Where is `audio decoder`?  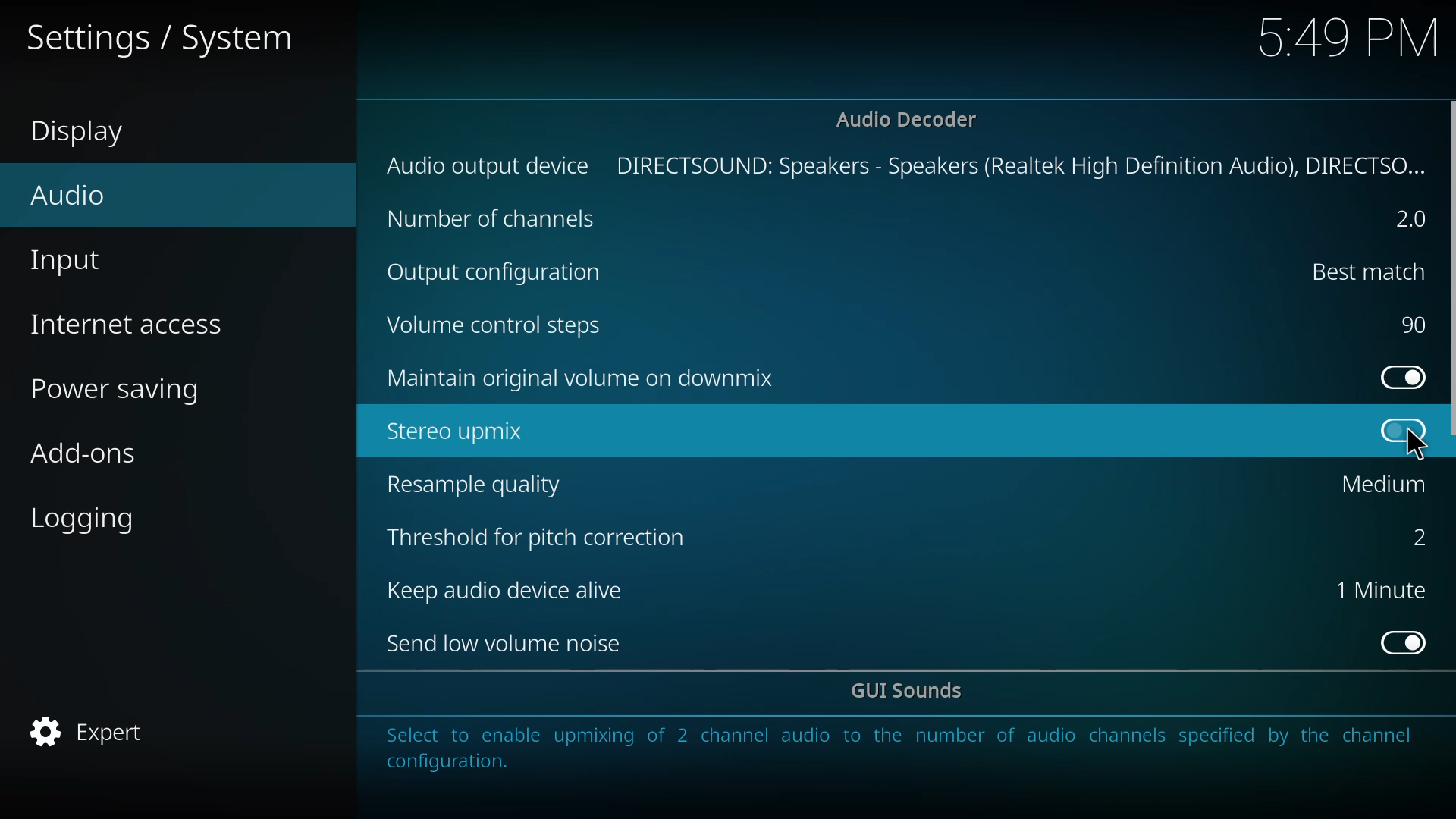
audio decoder is located at coordinates (907, 118).